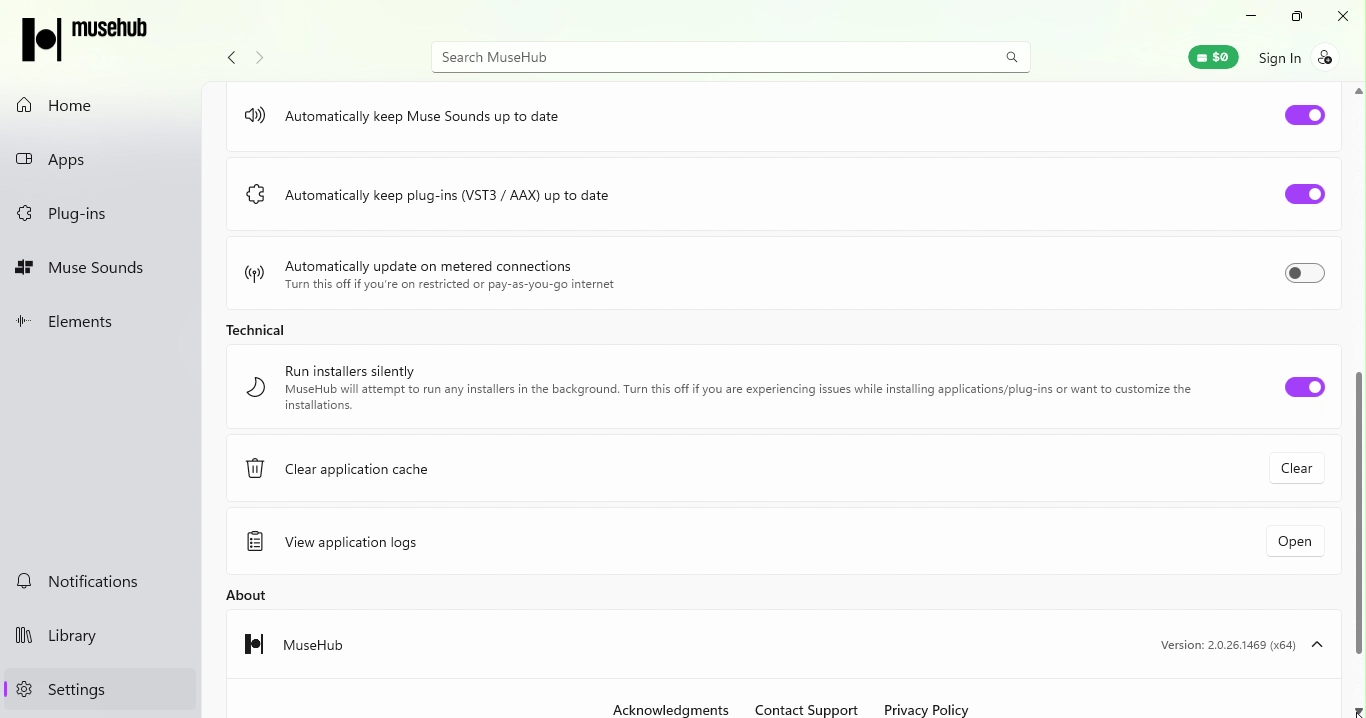 The image size is (1366, 718). Describe the element at coordinates (737, 389) in the screenshot. I see `Run installers silently` at that location.